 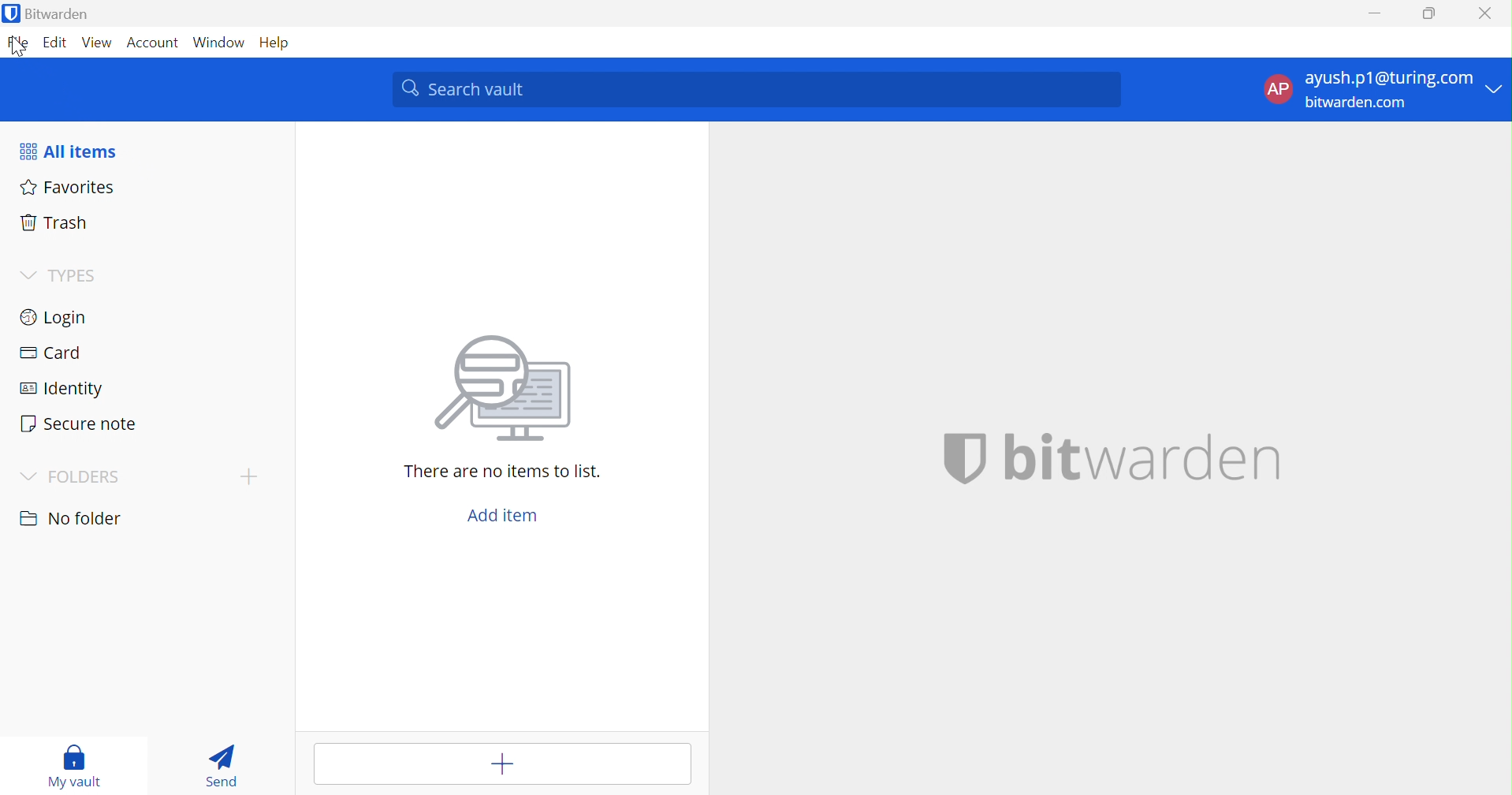 What do you see at coordinates (248, 476) in the screenshot?
I see `create folder` at bounding box center [248, 476].